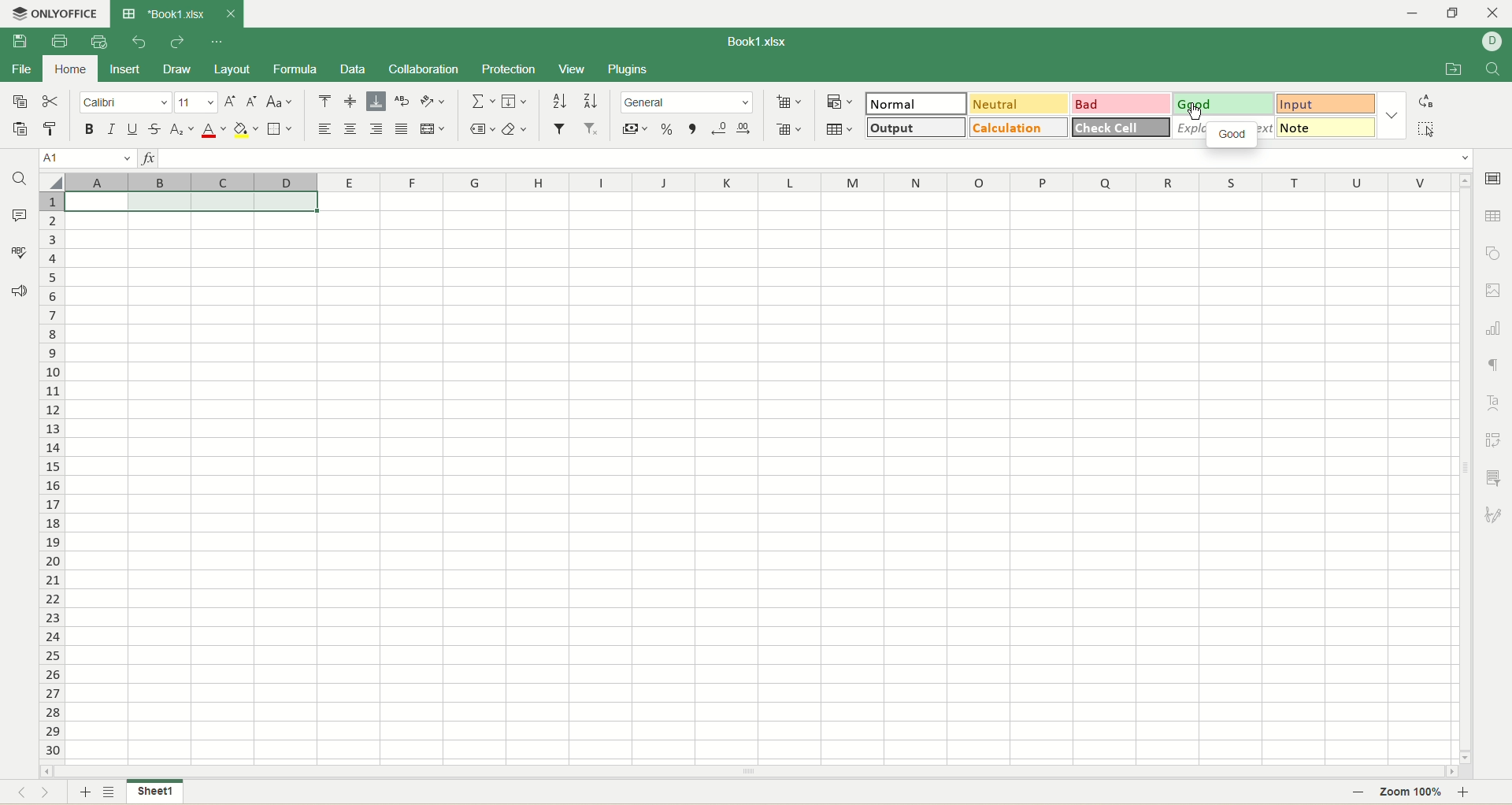  Describe the element at coordinates (134, 131) in the screenshot. I see `underline` at that location.